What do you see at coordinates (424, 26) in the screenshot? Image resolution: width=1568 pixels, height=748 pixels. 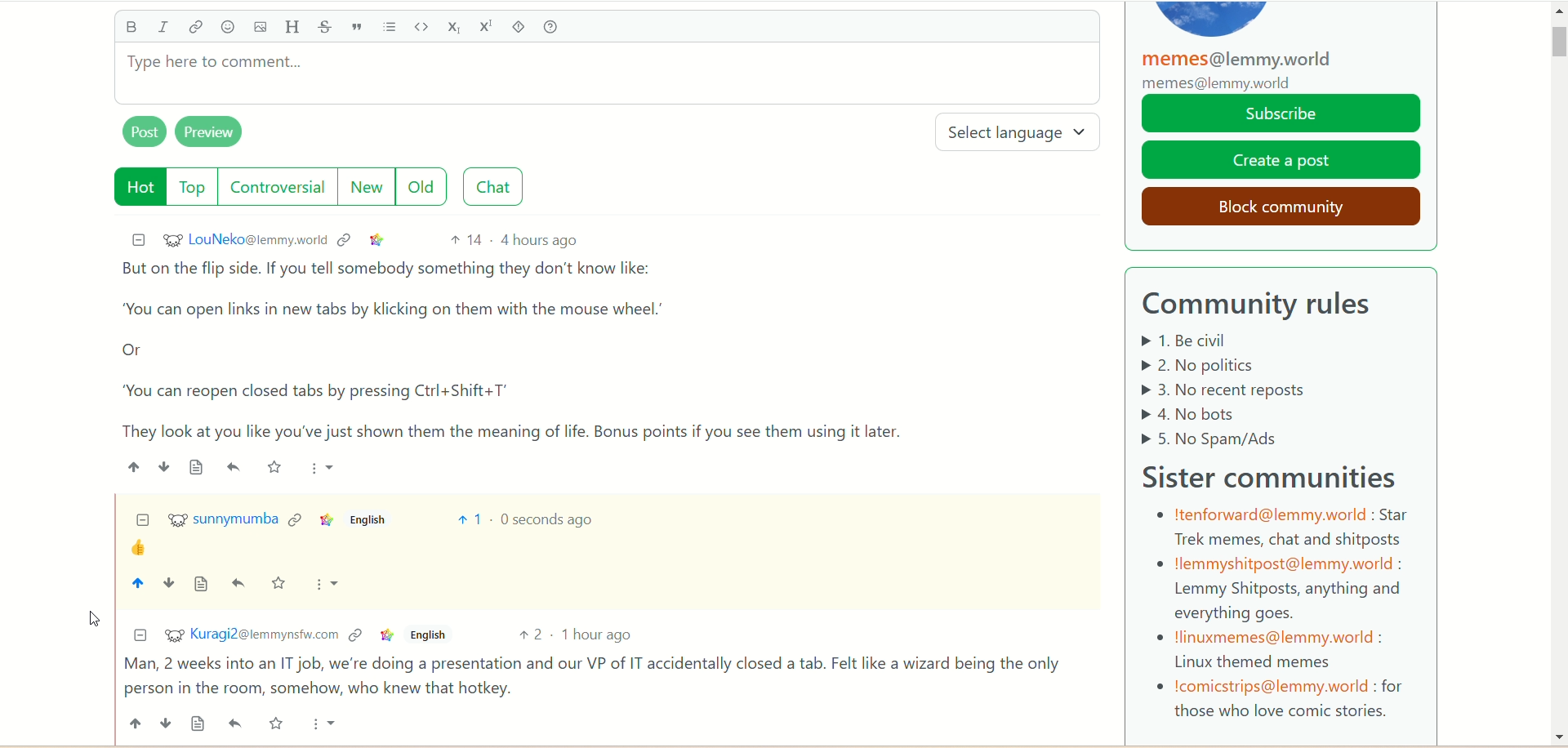 I see `code` at bounding box center [424, 26].